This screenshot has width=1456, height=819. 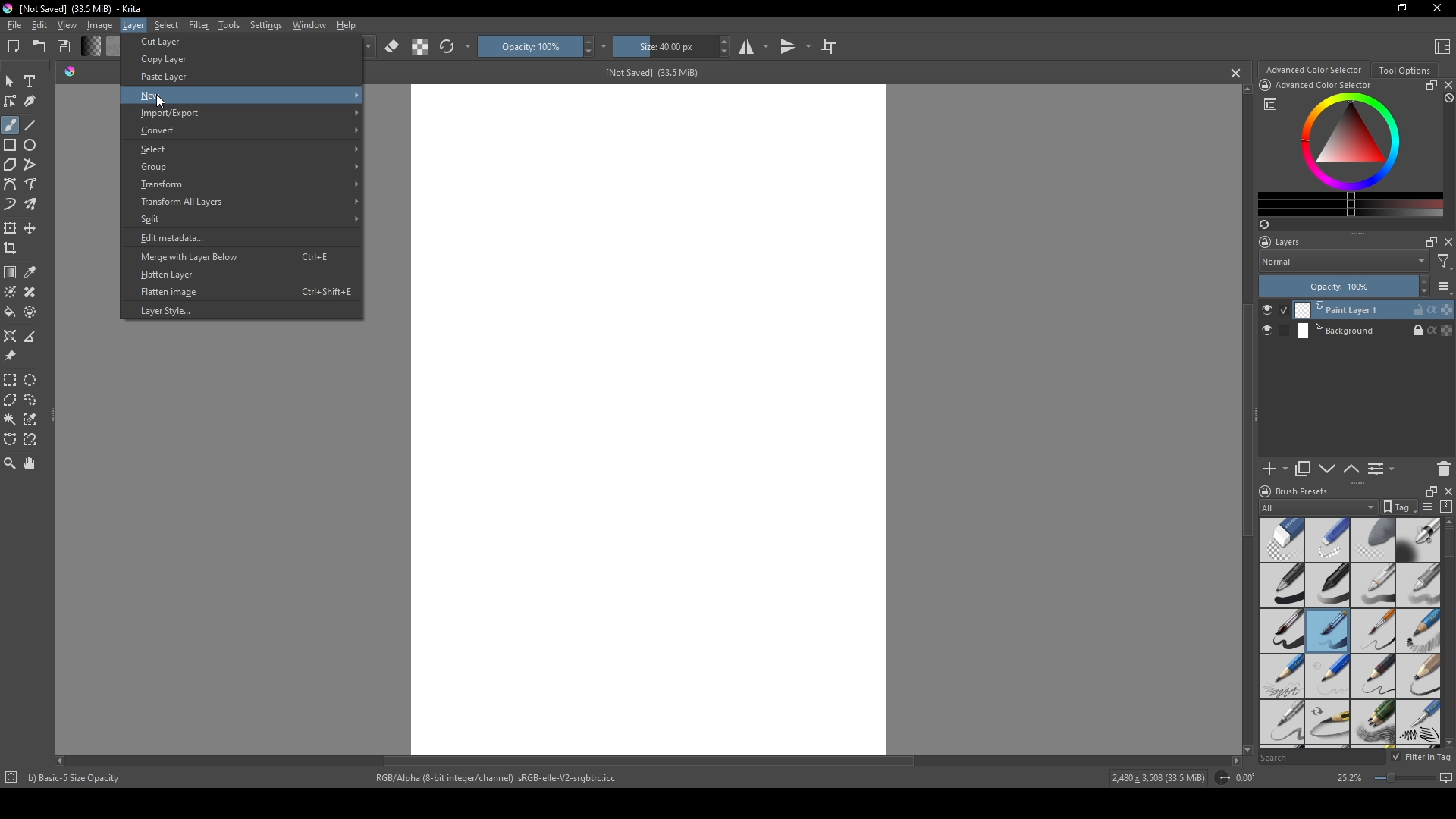 I want to click on crop, so click(x=828, y=45).